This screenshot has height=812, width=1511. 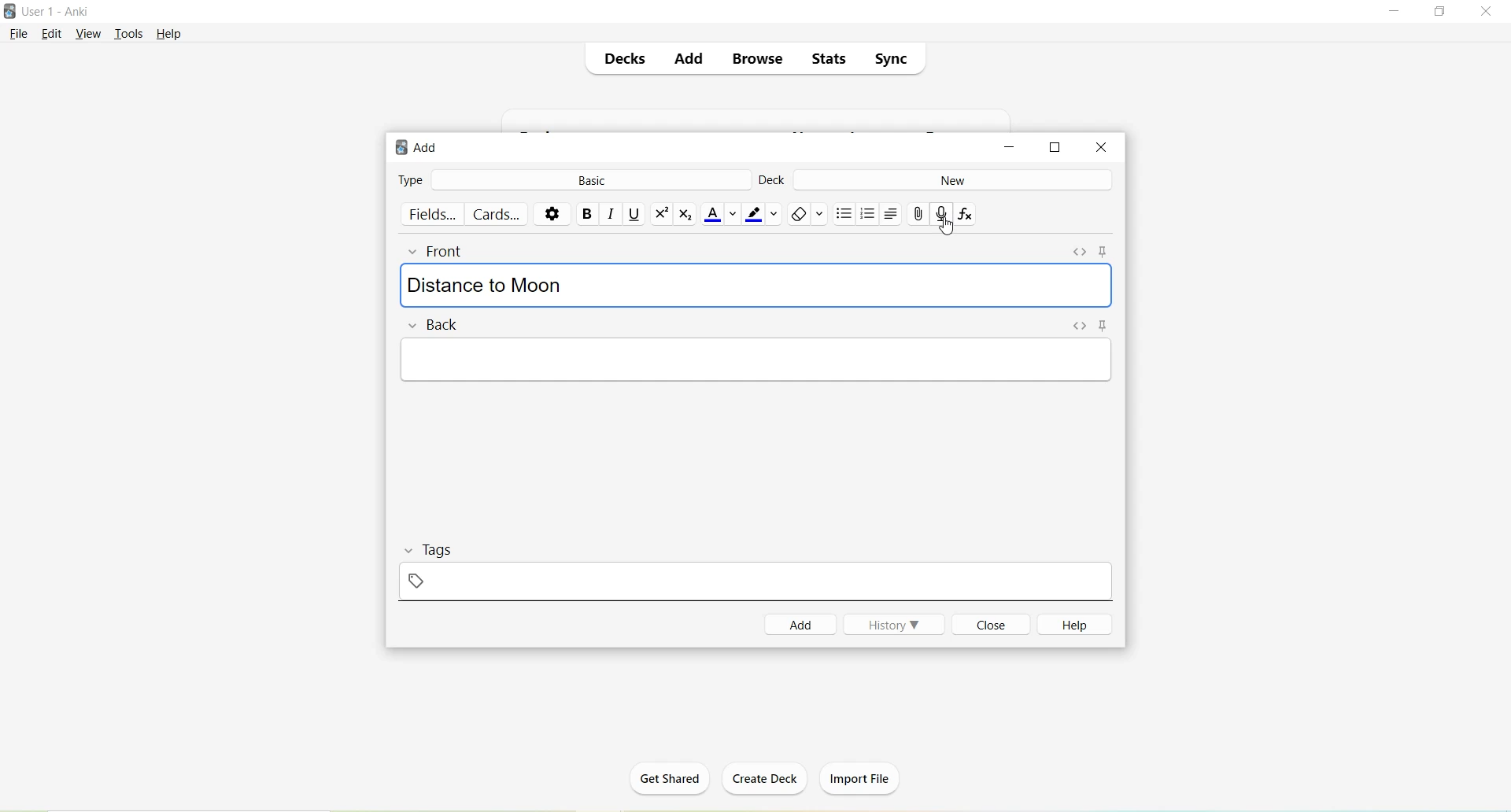 I want to click on Ordered list, so click(x=868, y=215).